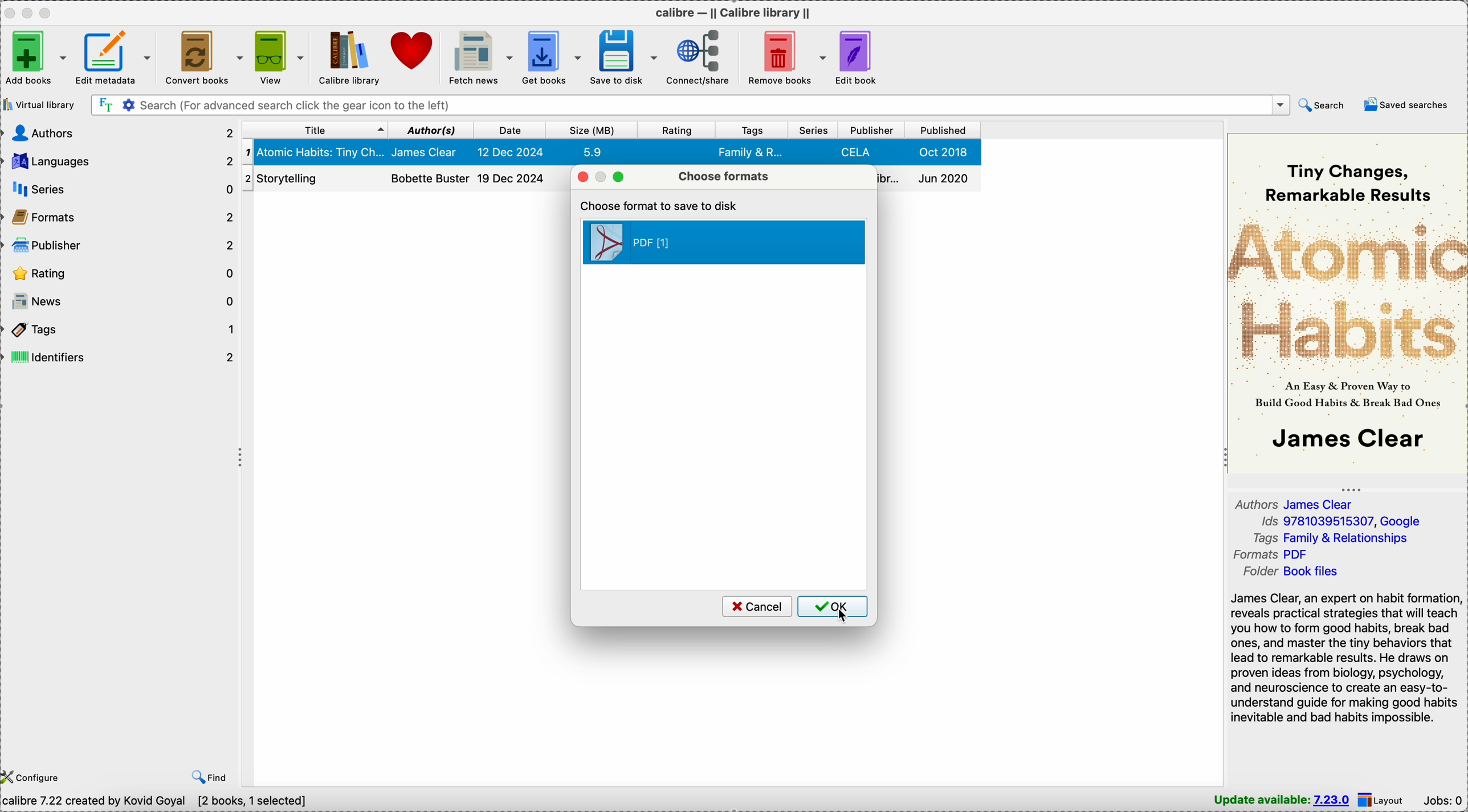 The width and height of the screenshot is (1468, 812). What do you see at coordinates (871, 130) in the screenshot?
I see `publisher` at bounding box center [871, 130].